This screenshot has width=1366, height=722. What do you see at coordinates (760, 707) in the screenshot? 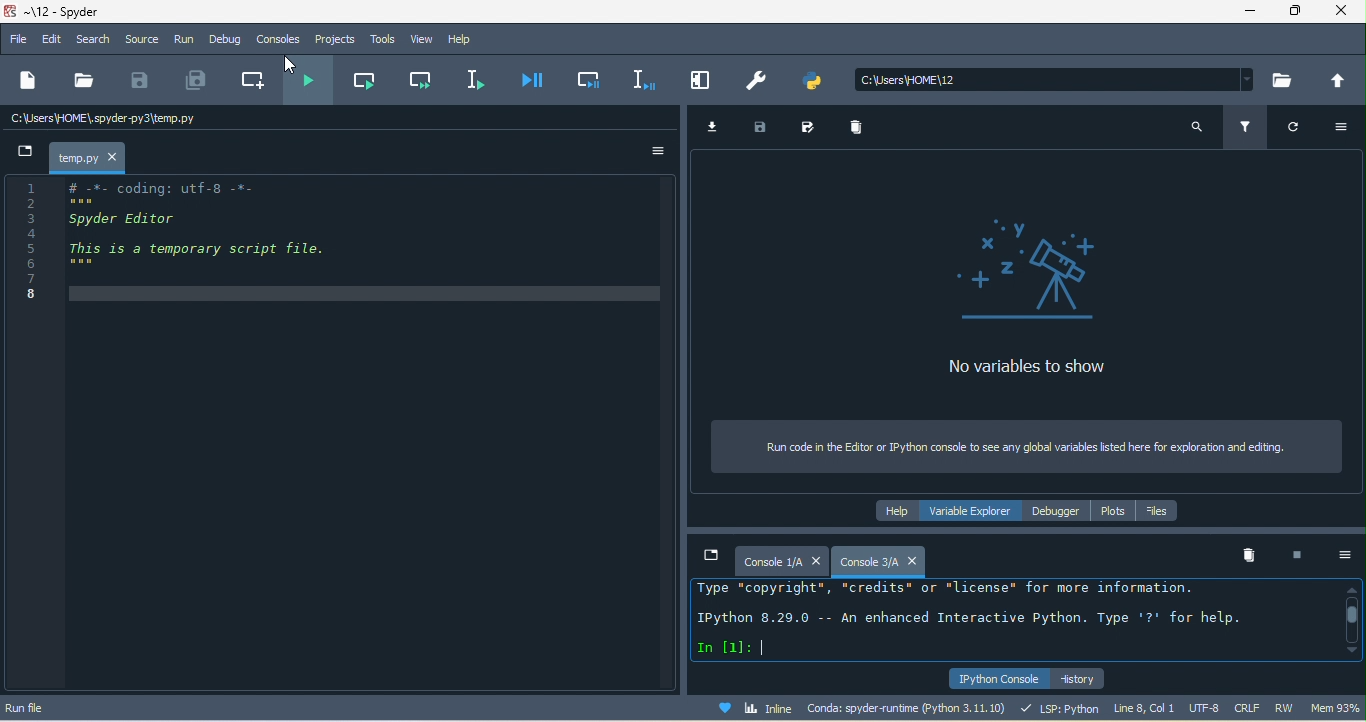
I see `inline` at bounding box center [760, 707].